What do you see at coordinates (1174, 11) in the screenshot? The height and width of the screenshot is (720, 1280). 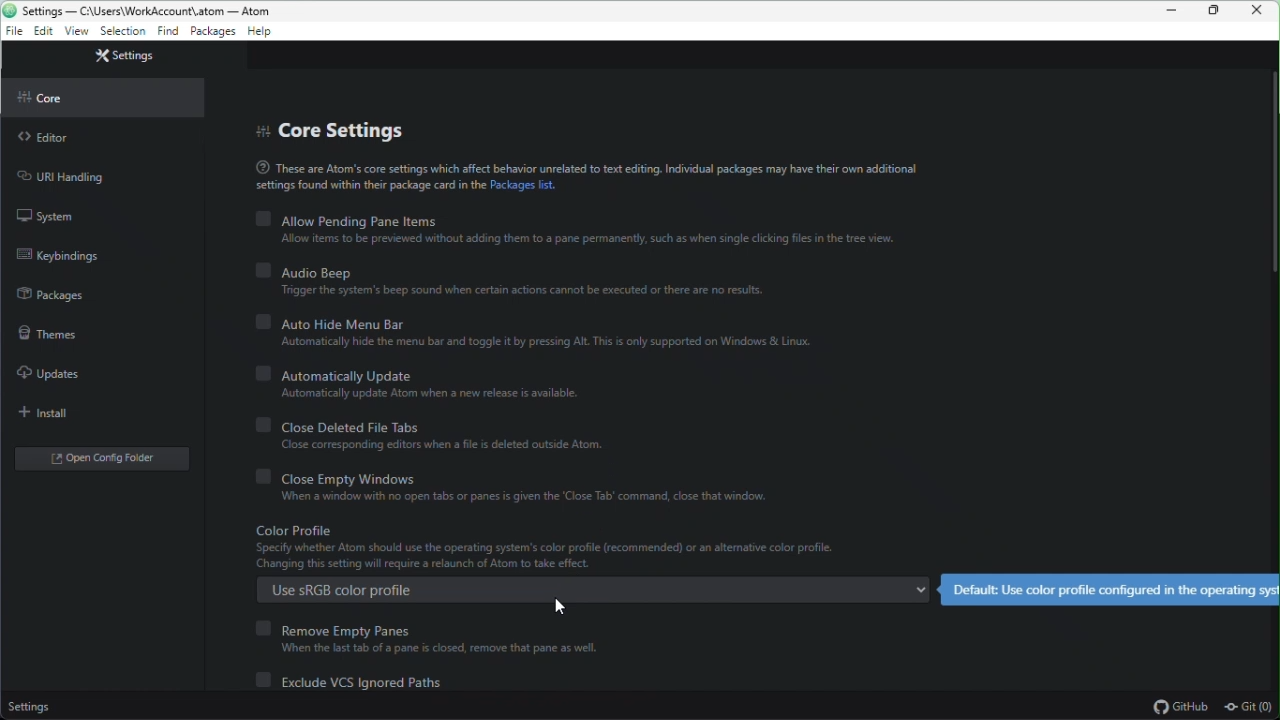 I see `Minimize` at bounding box center [1174, 11].